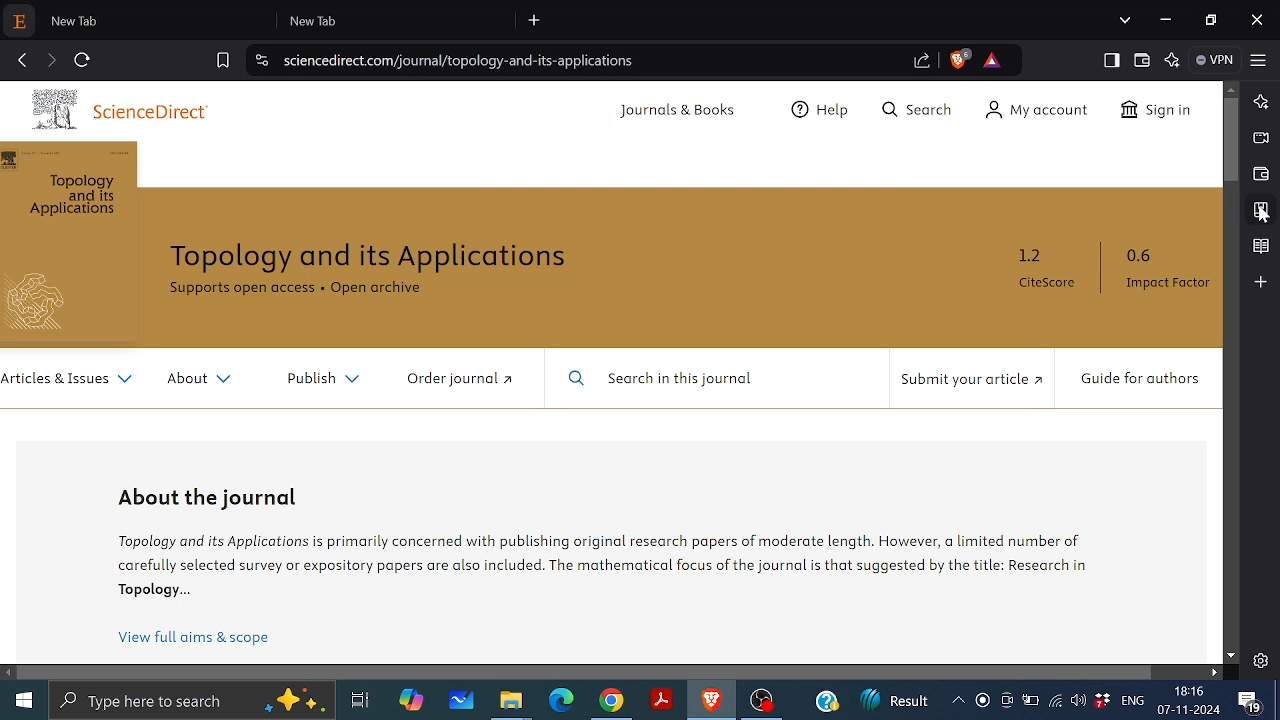 The width and height of the screenshot is (1280, 720). Describe the element at coordinates (1260, 661) in the screenshot. I see `Settings` at that location.